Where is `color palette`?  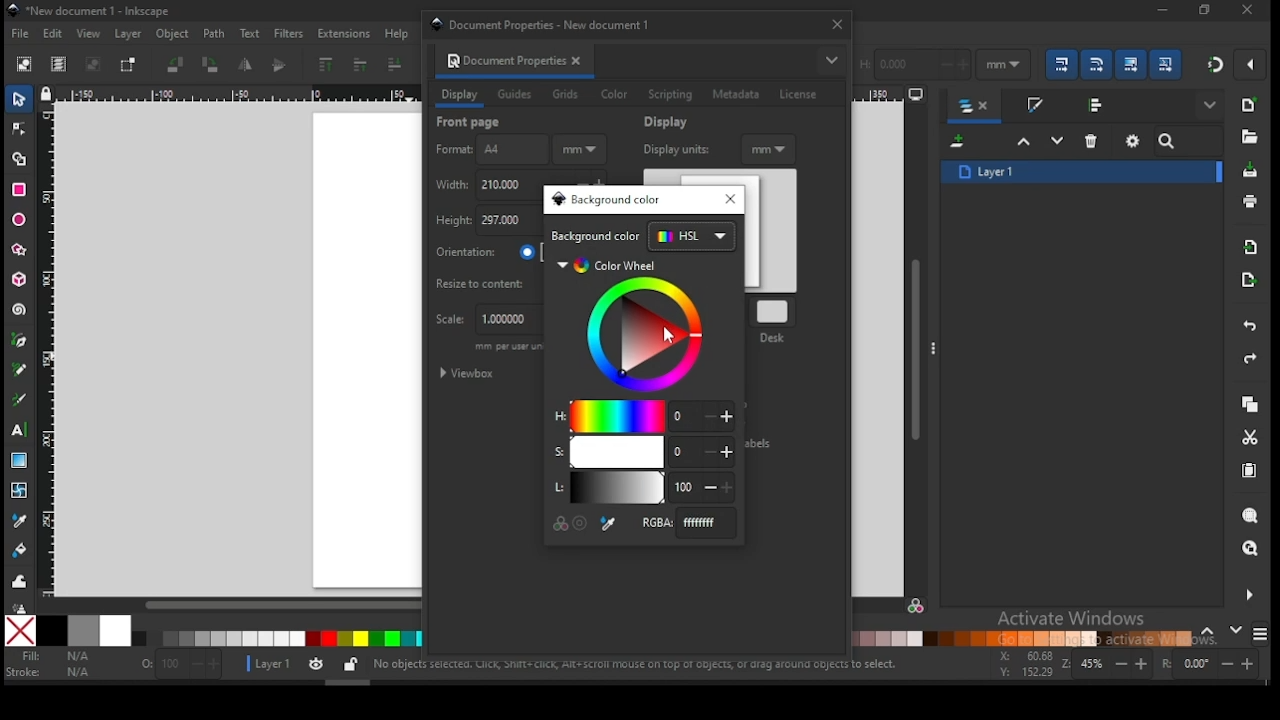
color palette is located at coordinates (277, 639).